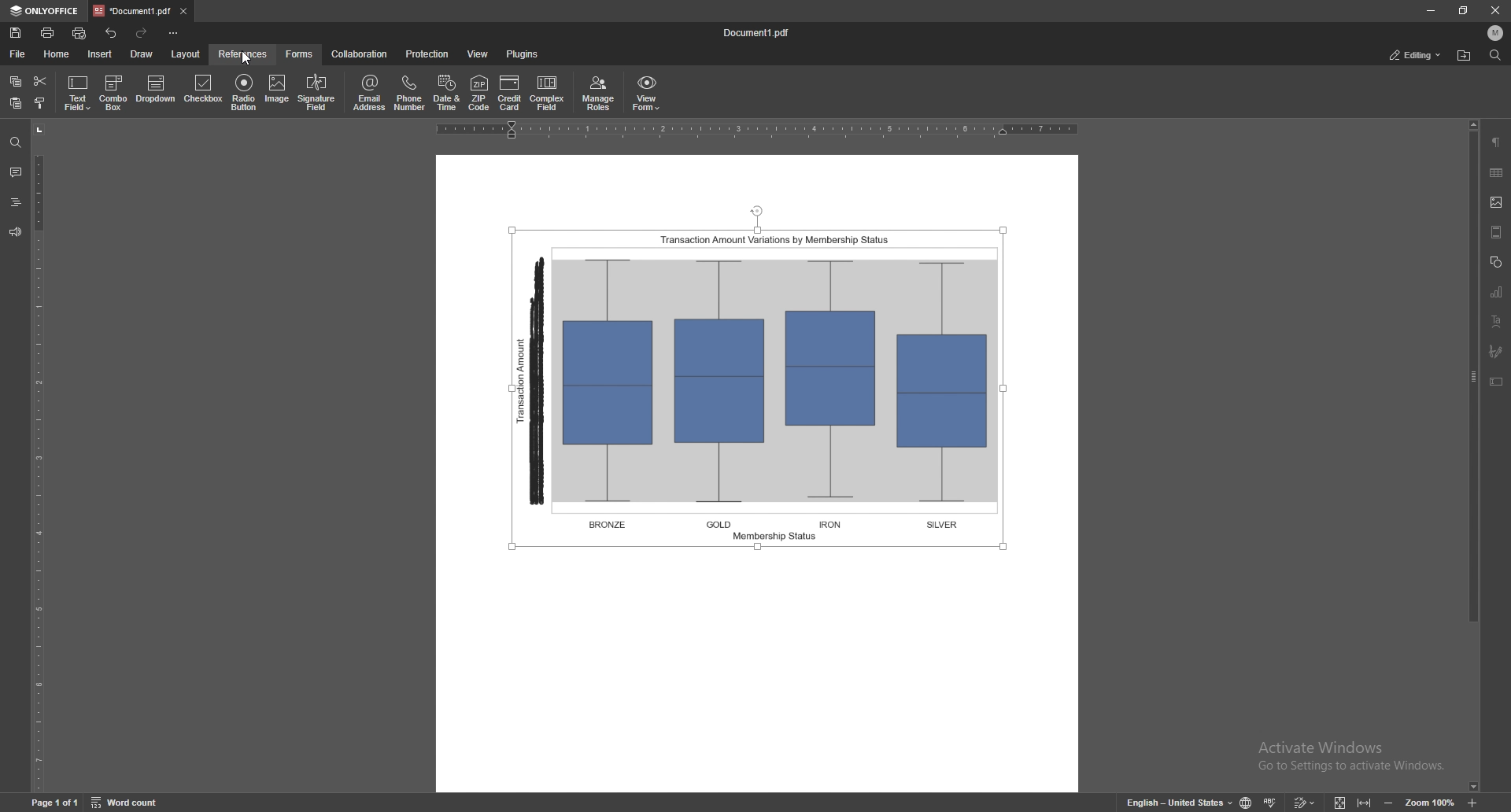 The image size is (1511, 812). Describe the element at coordinates (759, 129) in the screenshot. I see `horizontal scale` at that location.